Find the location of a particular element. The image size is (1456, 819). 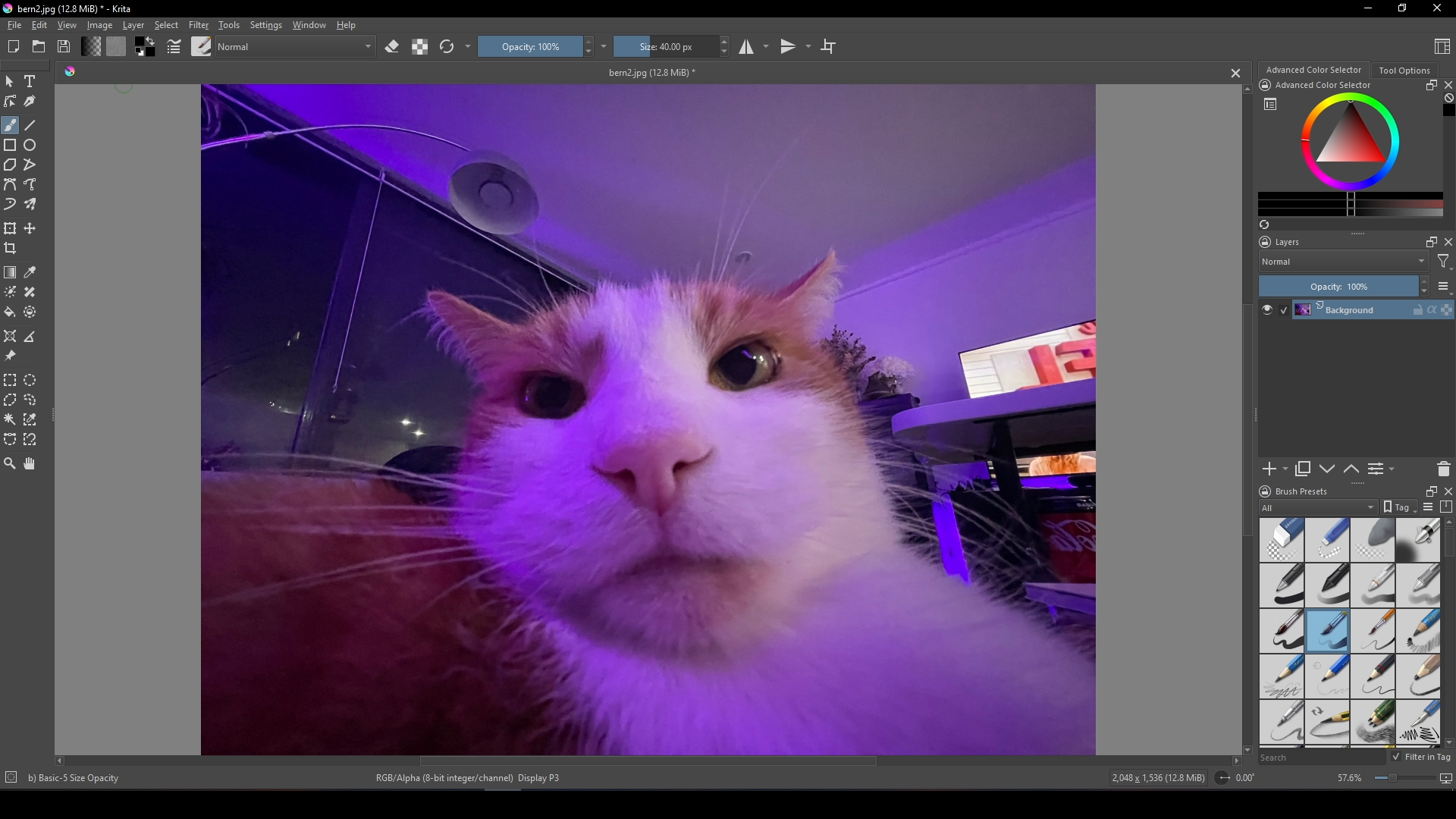

Vertical scroll is located at coordinates (1247, 419).